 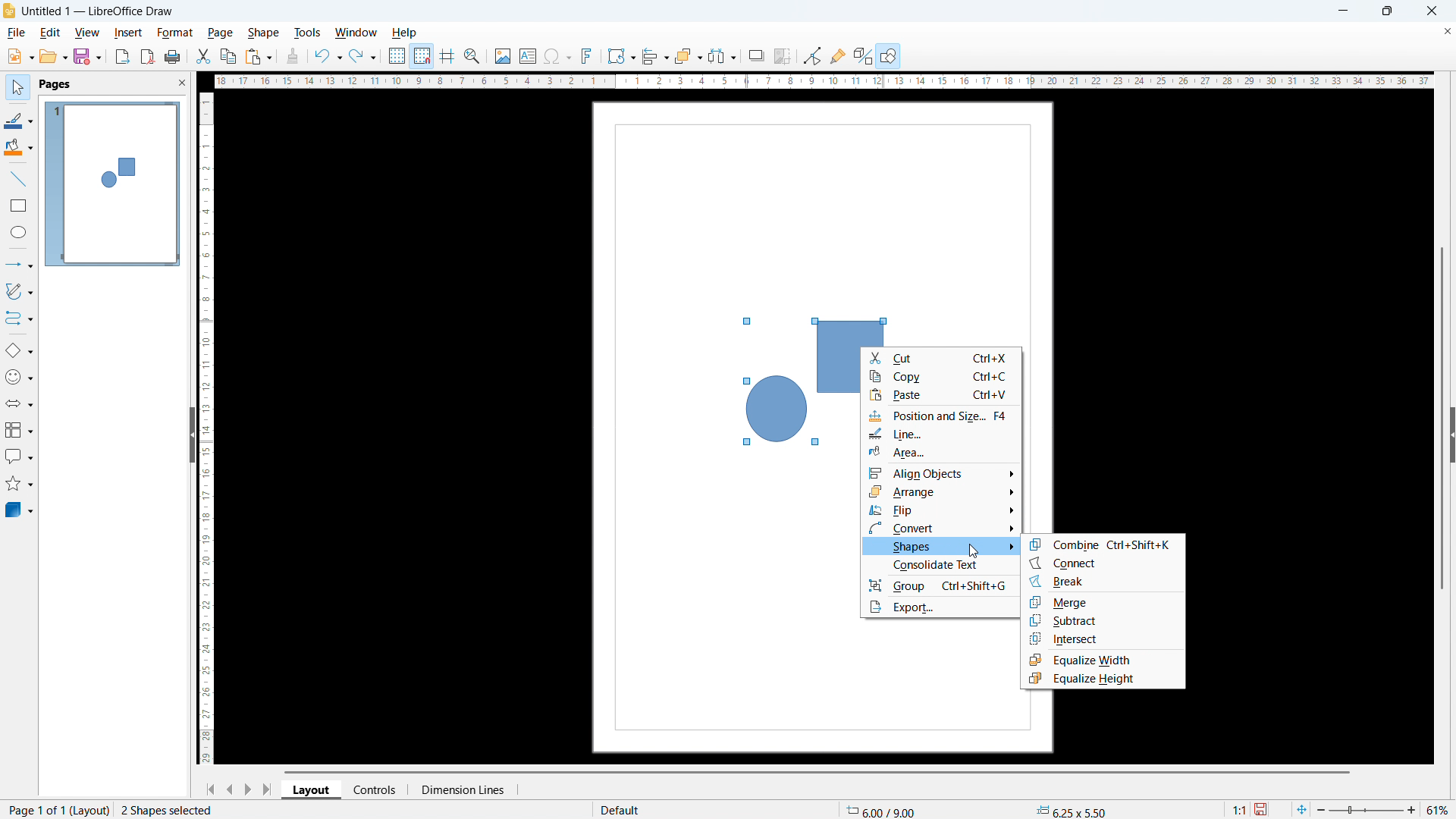 I want to click on align, so click(x=654, y=57).